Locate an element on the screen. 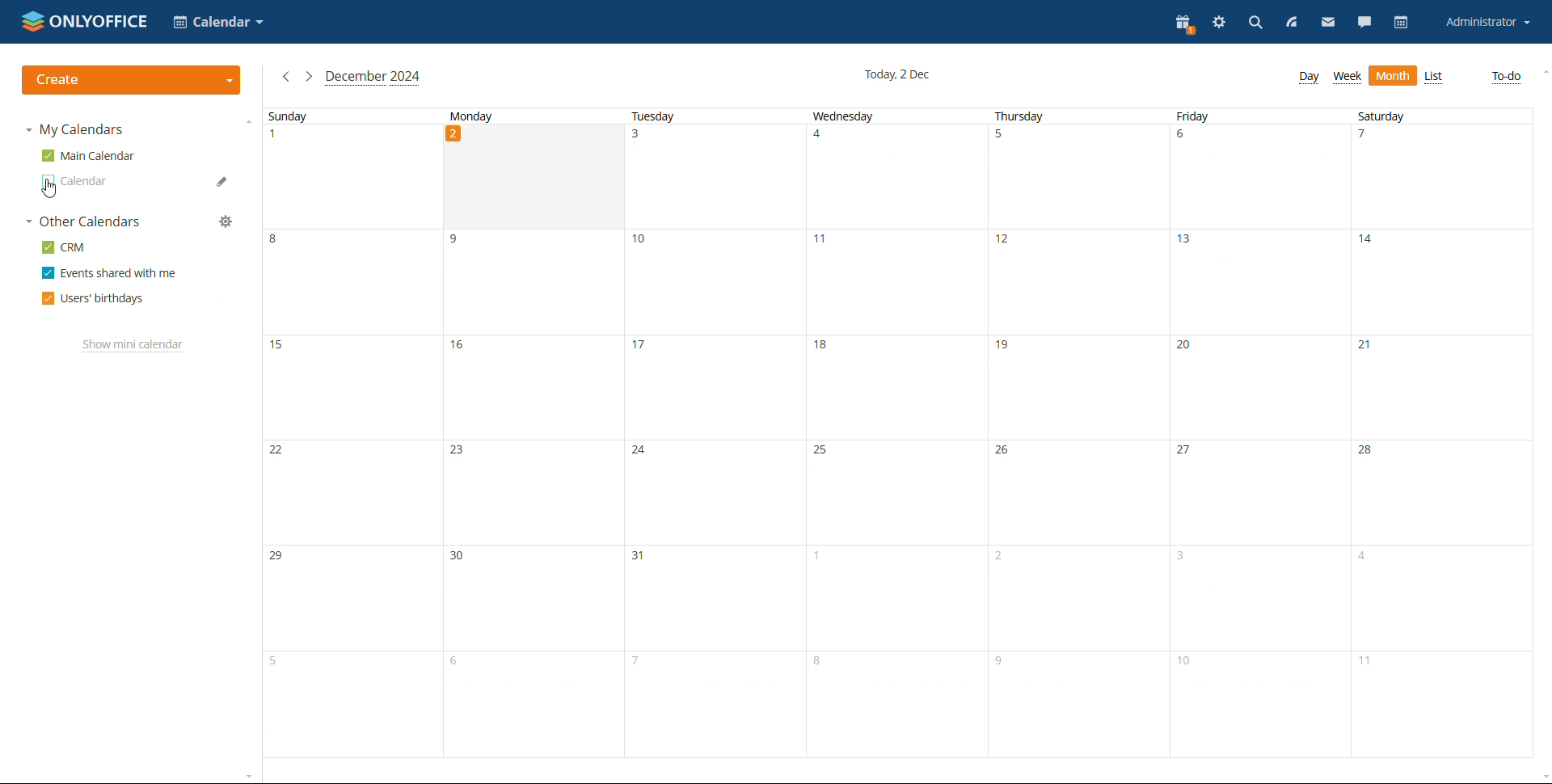 The width and height of the screenshot is (1552, 784). other calendars is located at coordinates (82, 221).